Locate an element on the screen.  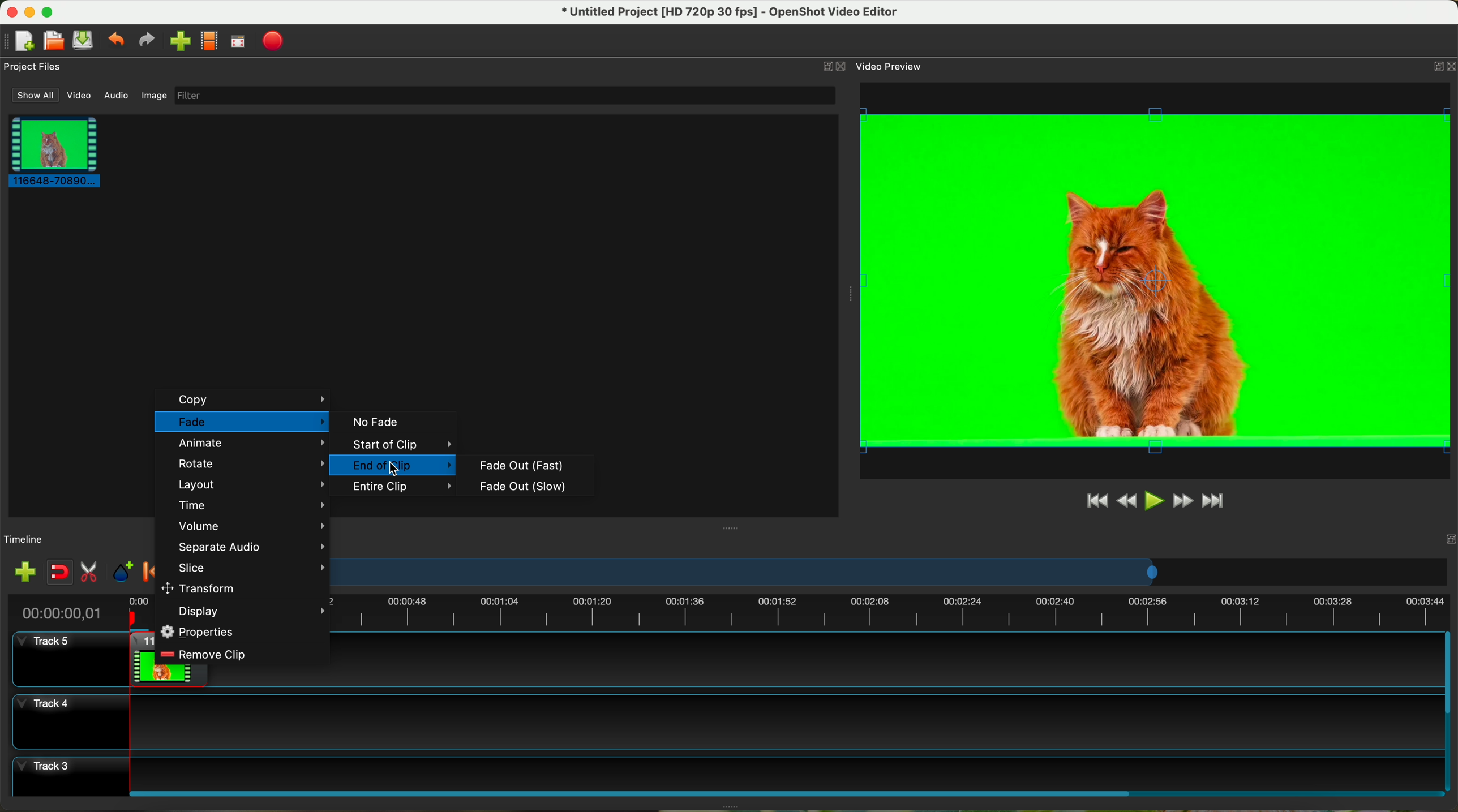
full screen is located at coordinates (238, 41).